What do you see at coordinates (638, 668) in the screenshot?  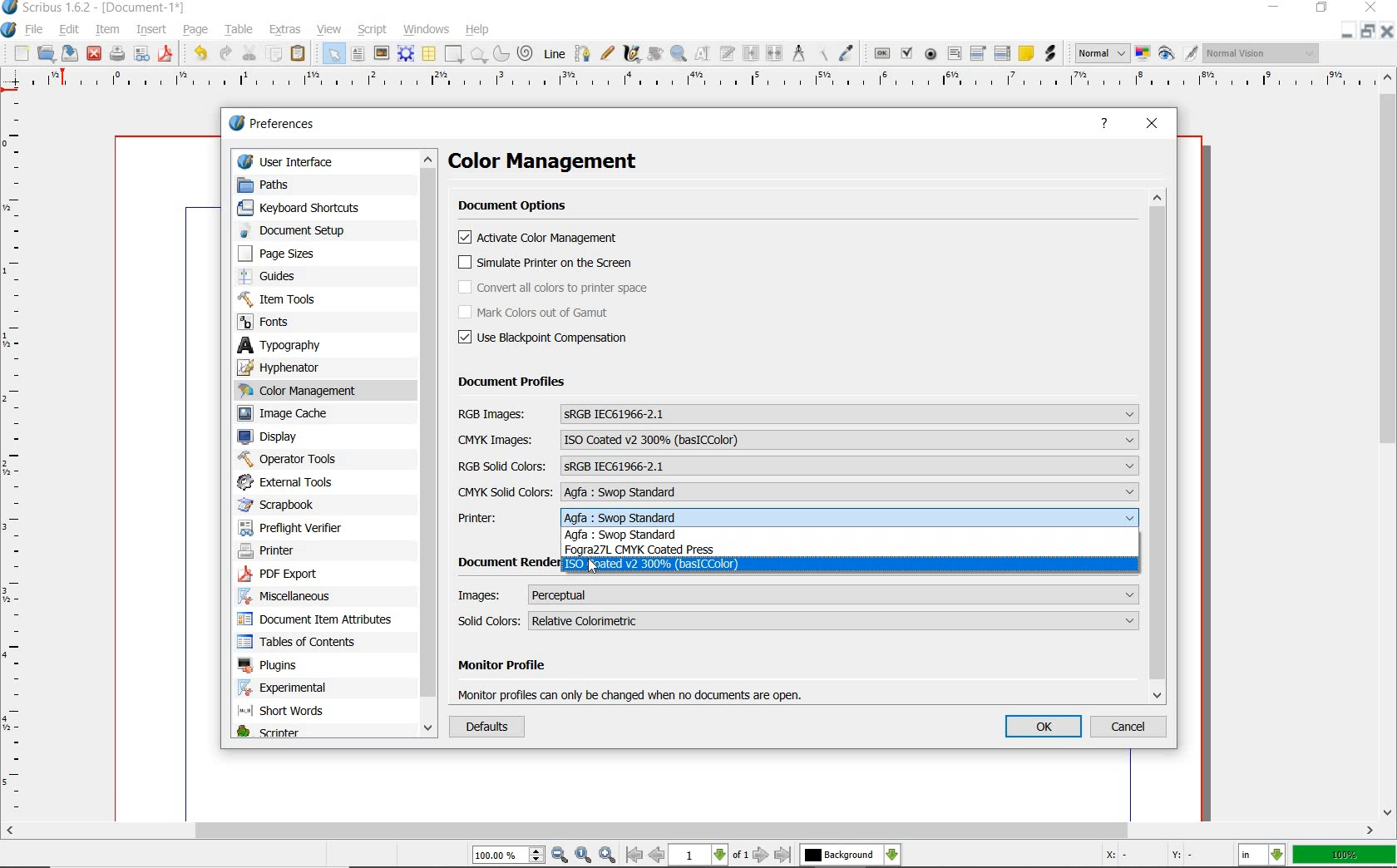 I see `Monitor Profile` at bounding box center [638, 668].